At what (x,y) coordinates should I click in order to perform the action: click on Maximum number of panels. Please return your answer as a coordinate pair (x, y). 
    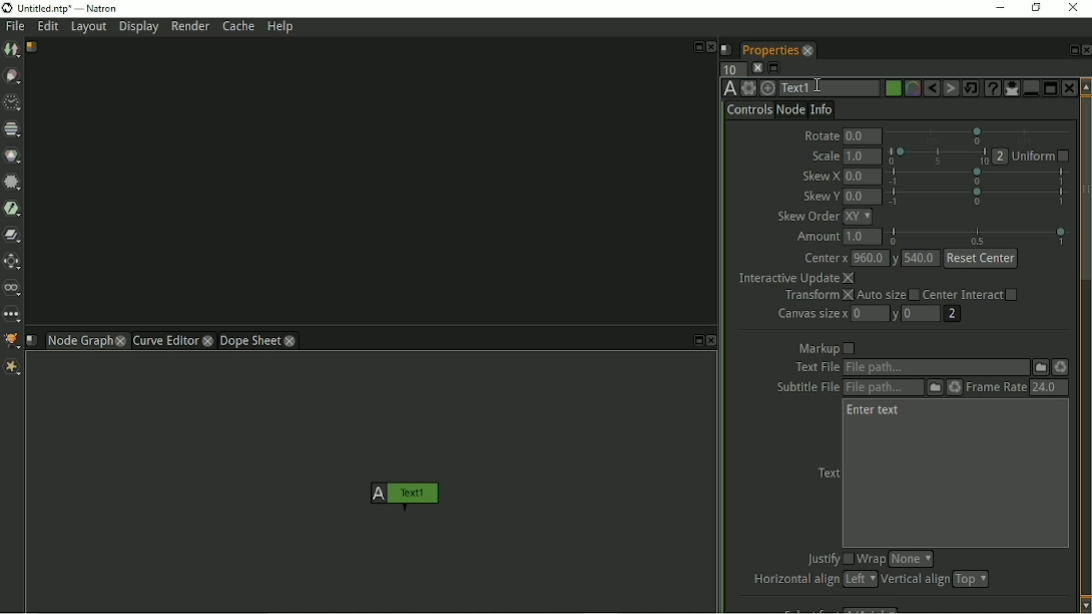
    Looking at the image, I should click on (732, 68).